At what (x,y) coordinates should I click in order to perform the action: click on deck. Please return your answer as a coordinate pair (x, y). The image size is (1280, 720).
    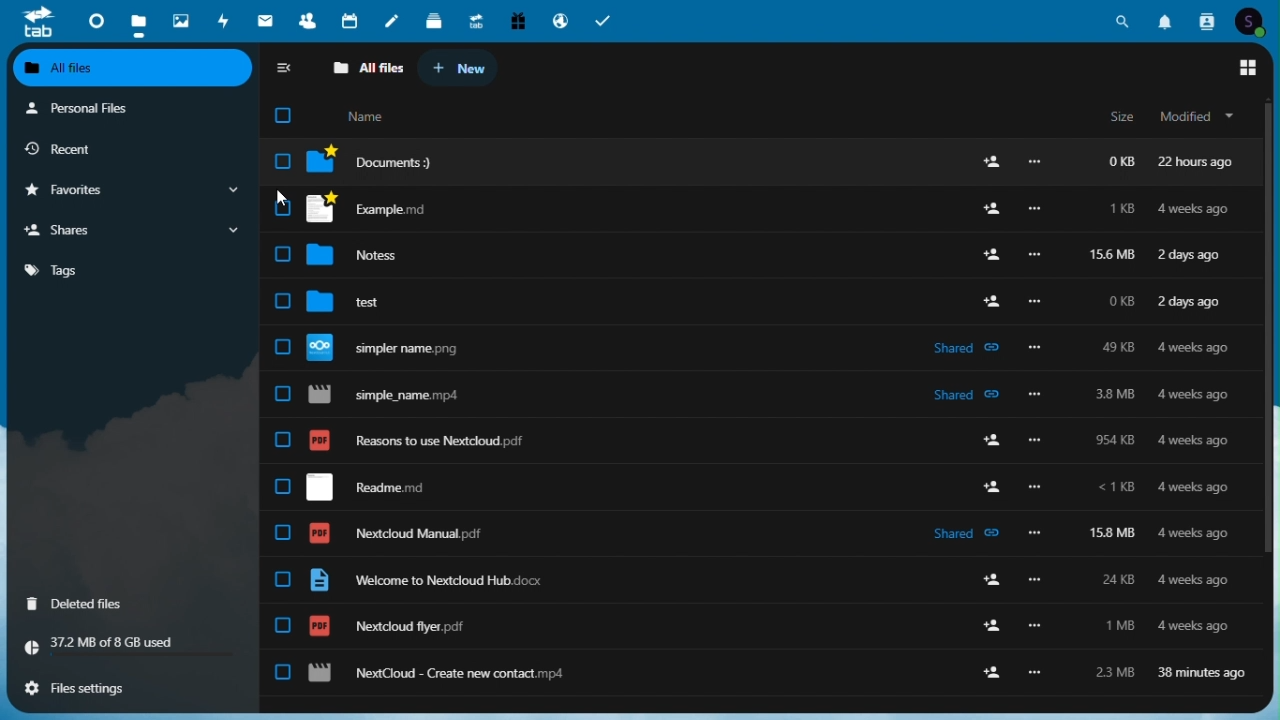
    Looking at the image, I should click on (435, 20).